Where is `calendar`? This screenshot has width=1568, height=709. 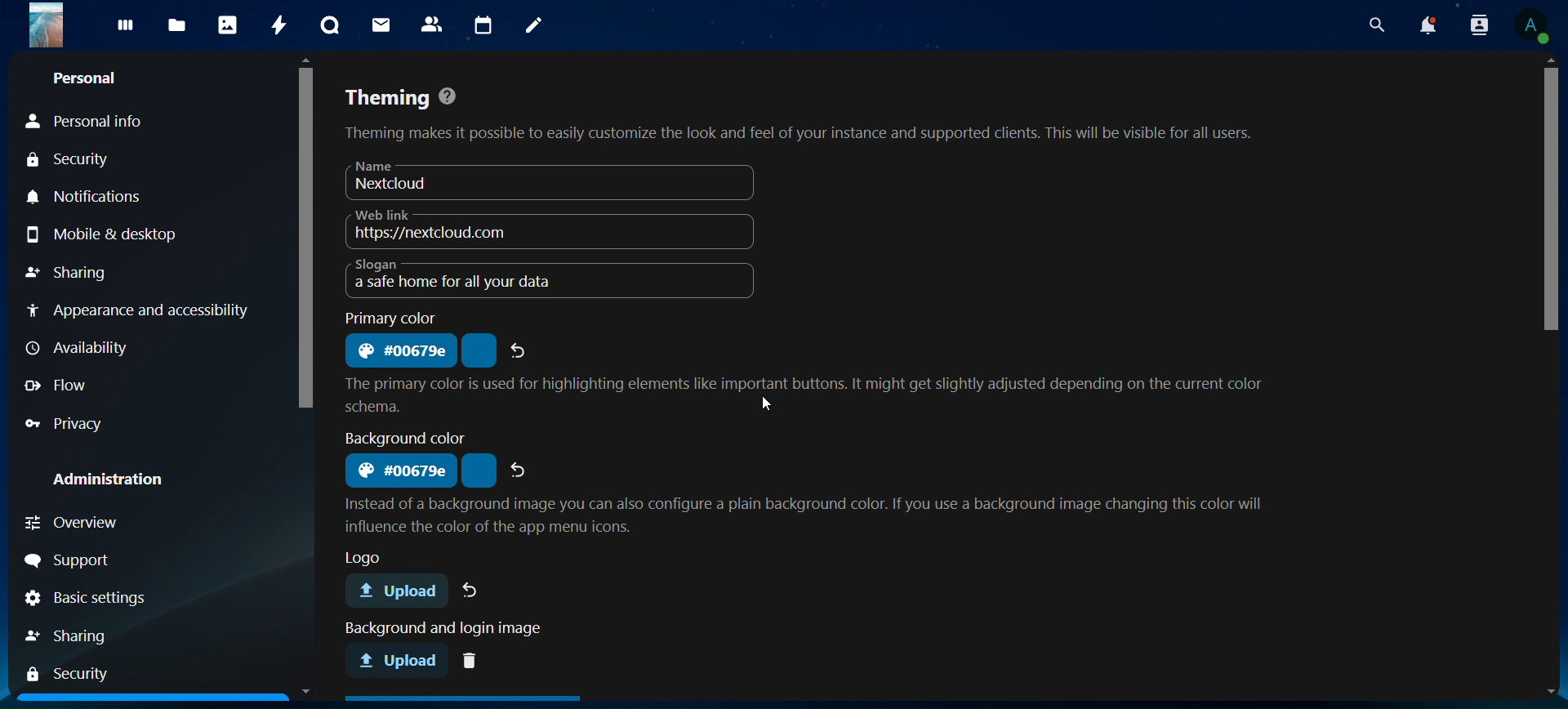
calendar is located at coordinates (483, 24).